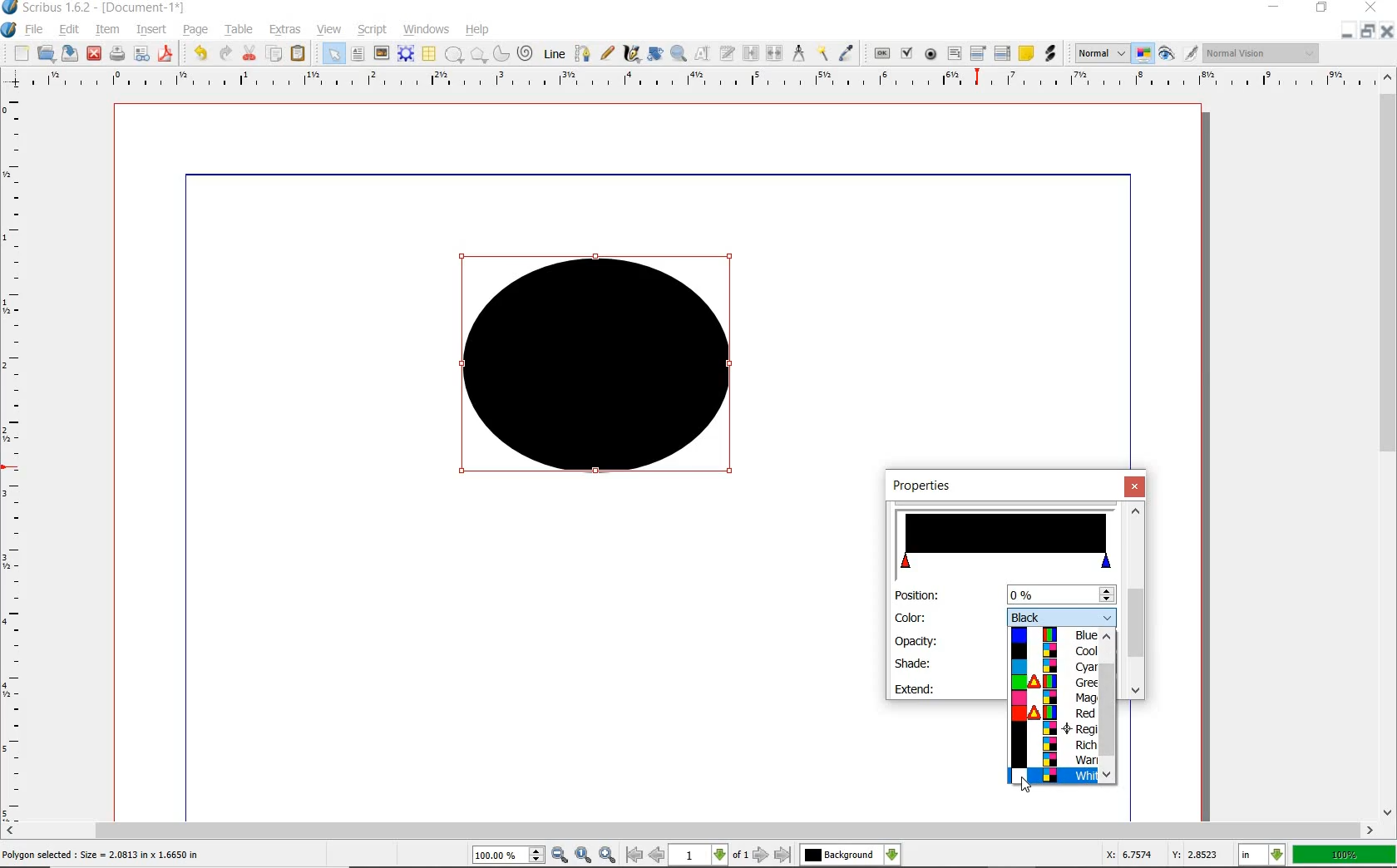  I want to click on LINE, so click(555, 54).